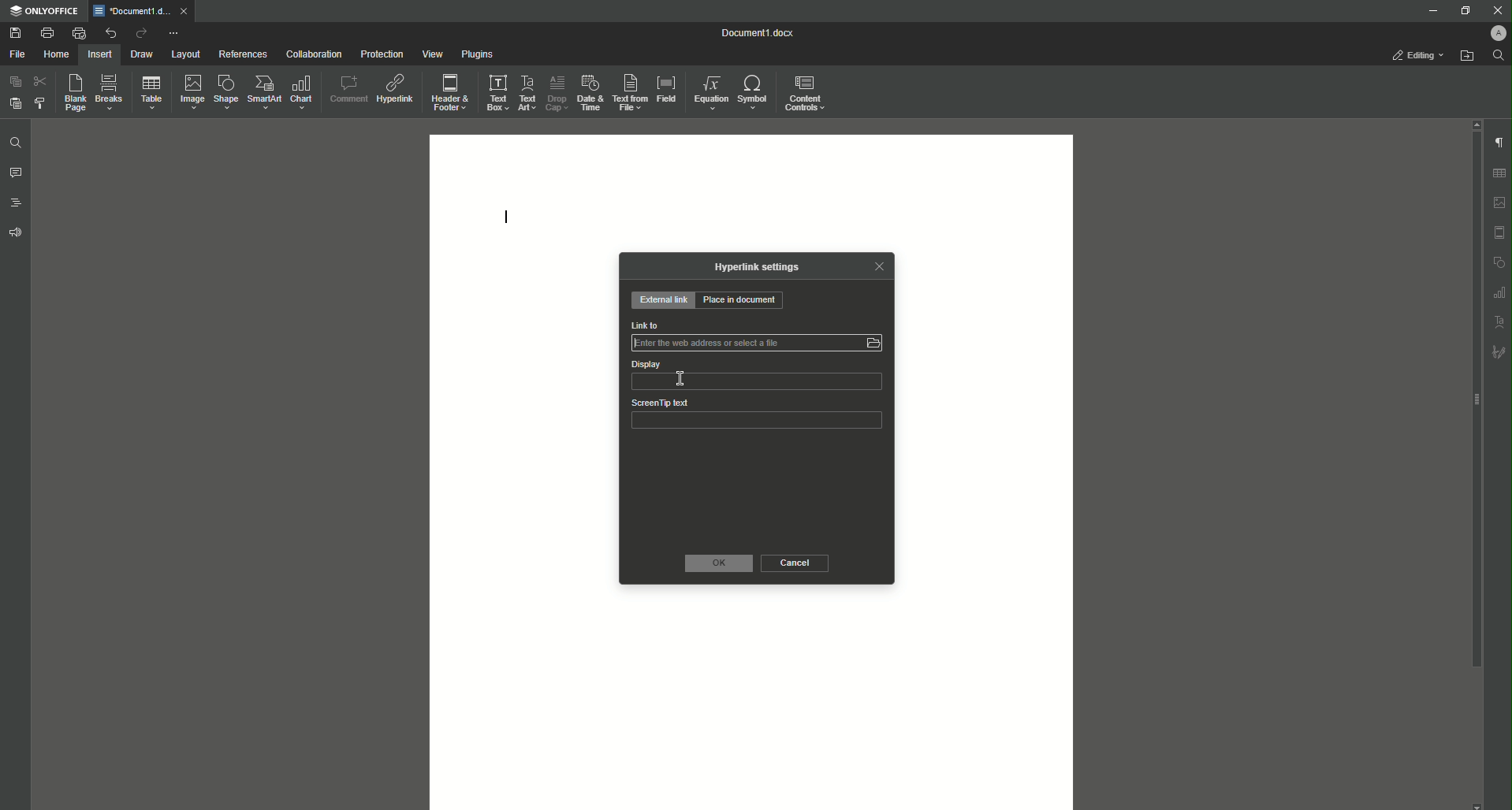 The height and width of the screenshot is (810, 1512). Describe the element at coordinates (1499, 55) in the screenshot. I see `Find` at that location.